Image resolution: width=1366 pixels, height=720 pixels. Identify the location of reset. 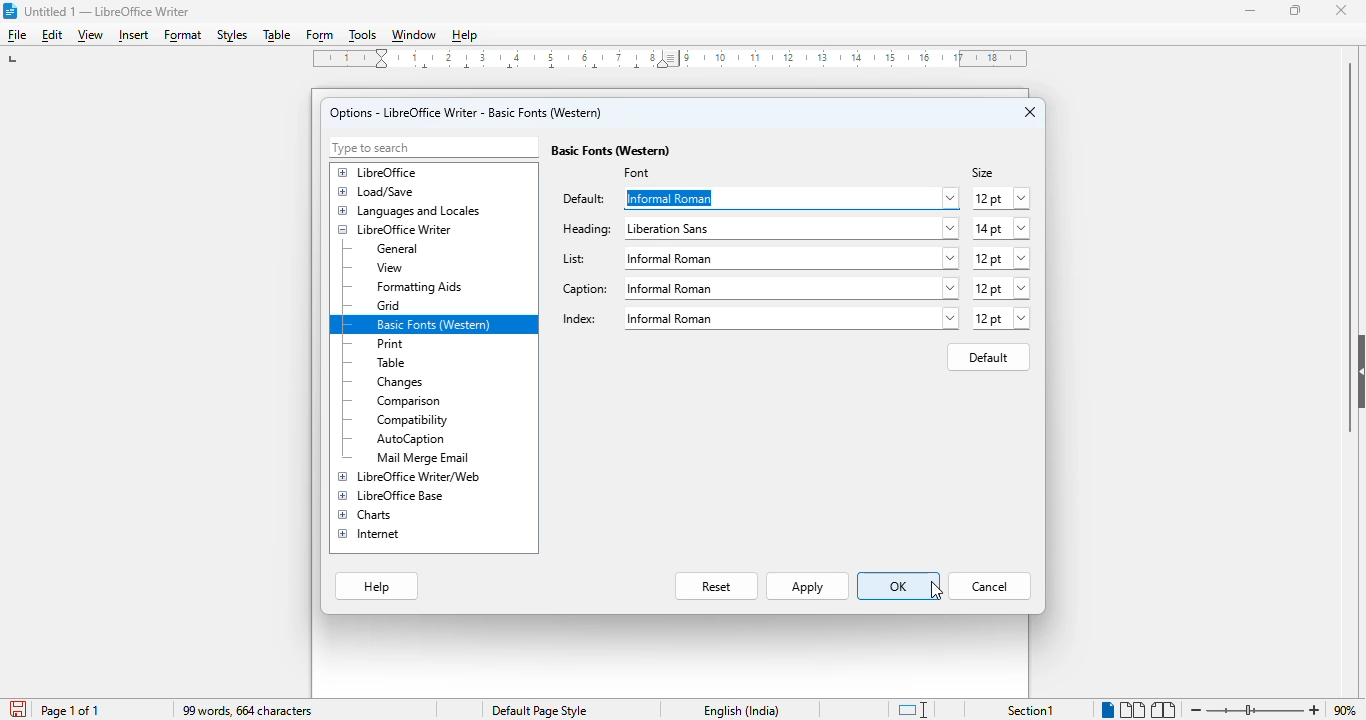
(718, 586).